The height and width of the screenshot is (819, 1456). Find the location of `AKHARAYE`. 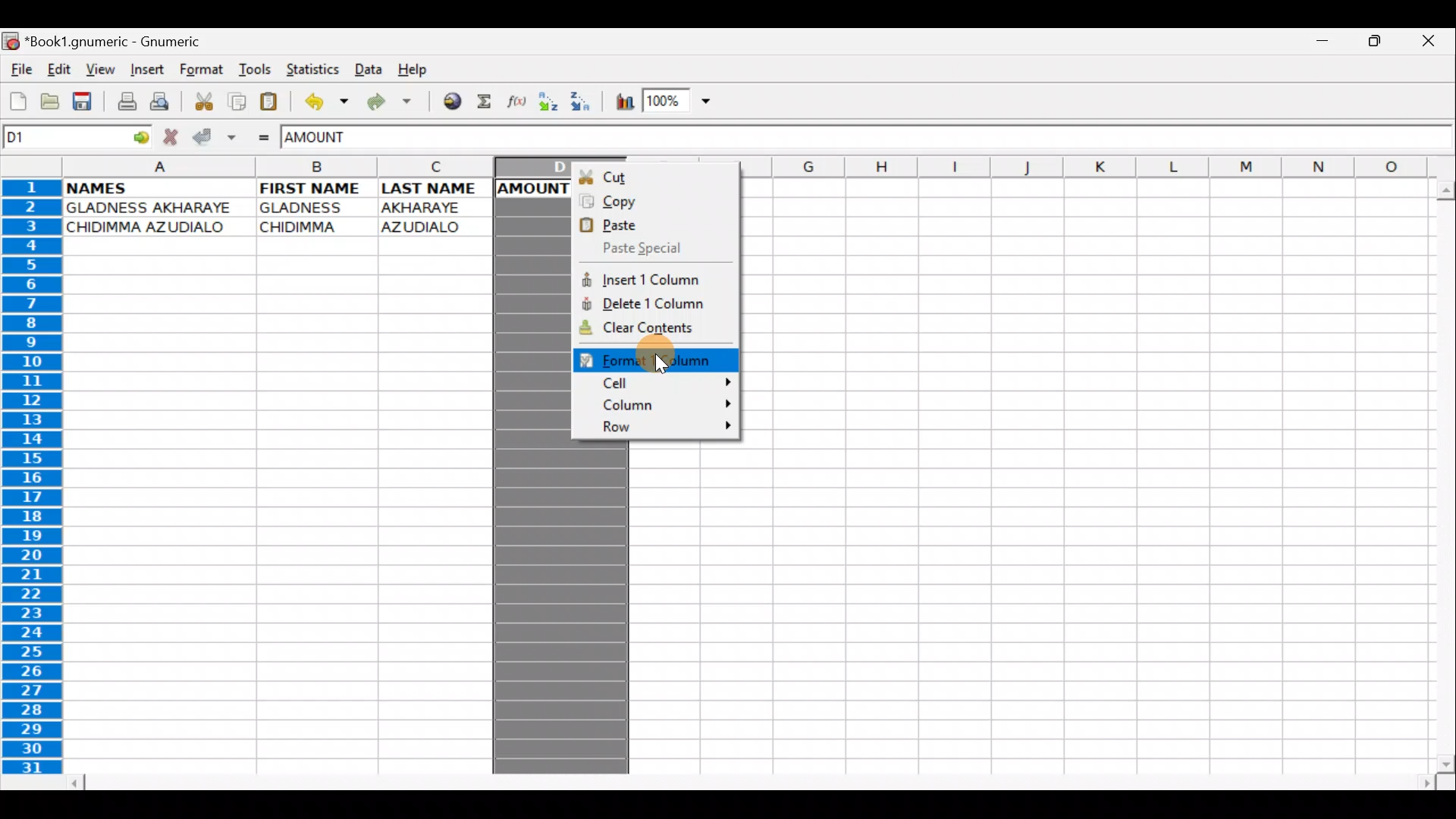

AKHARAYE is located at coordinates (423, 207).